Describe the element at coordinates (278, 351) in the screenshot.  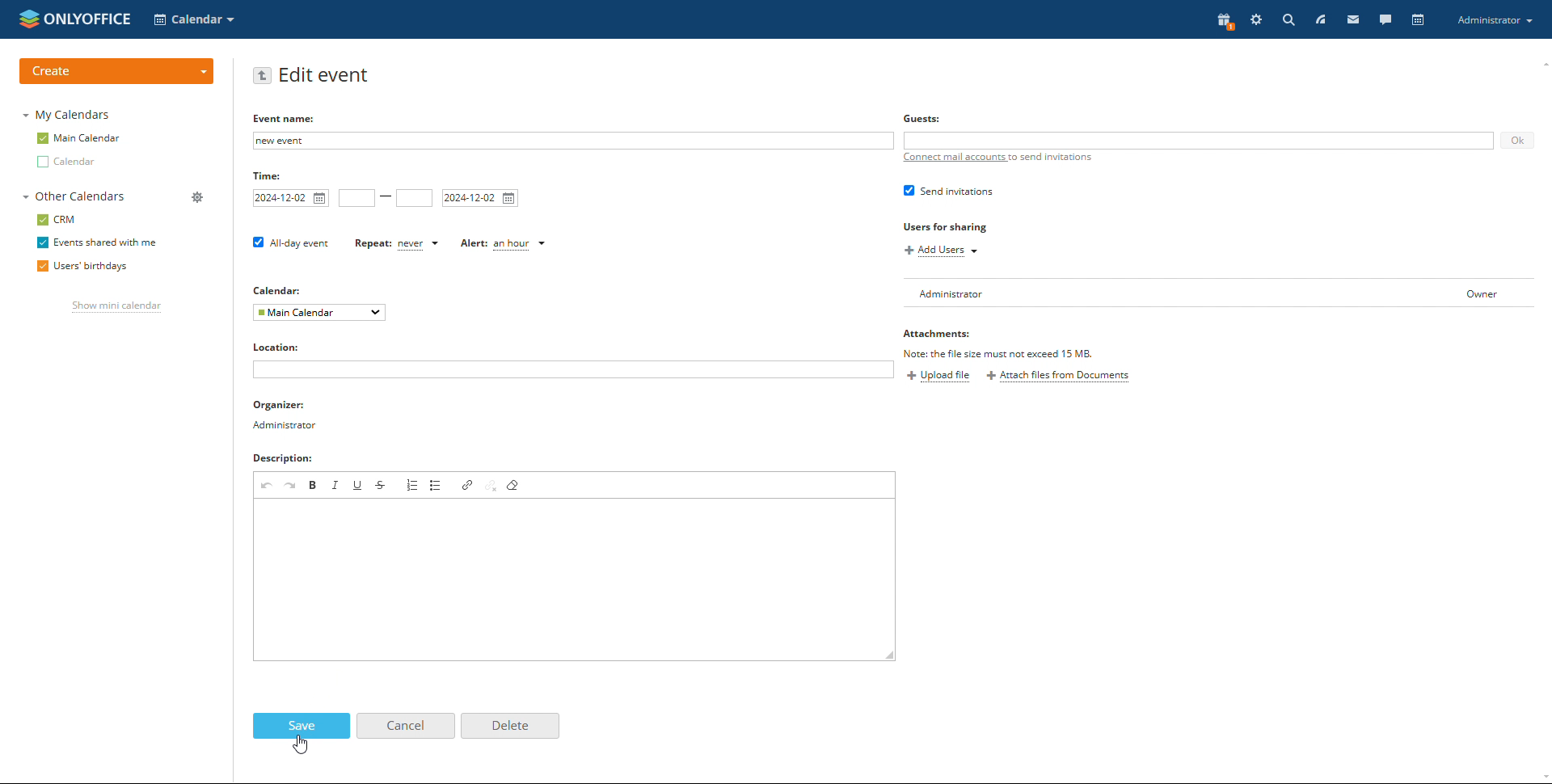
I see `locations` at that location.